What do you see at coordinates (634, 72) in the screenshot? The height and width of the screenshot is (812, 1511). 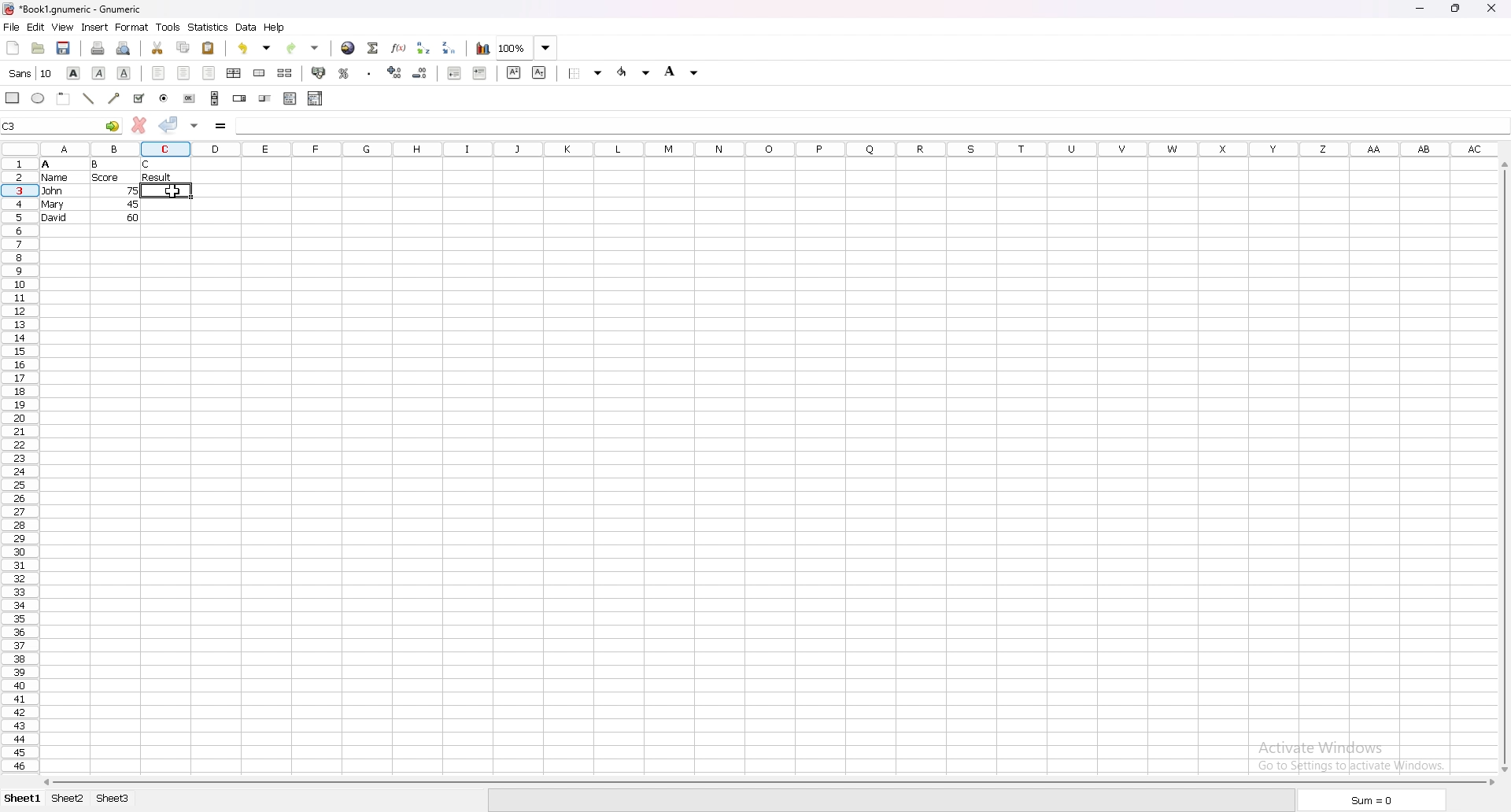 I see `foreground` at bounding box center [634, 72].